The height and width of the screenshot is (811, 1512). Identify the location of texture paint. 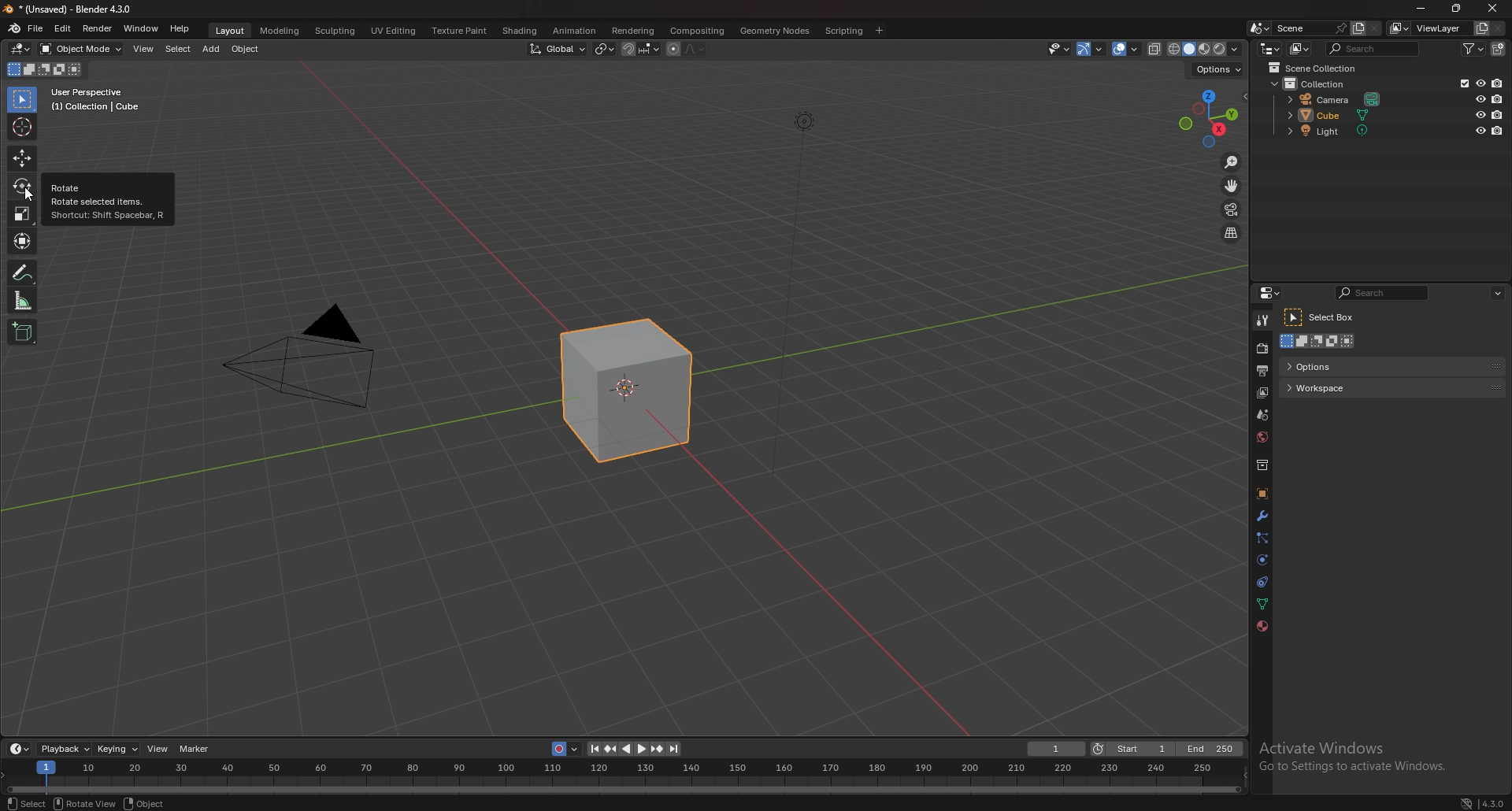
(461, 31).